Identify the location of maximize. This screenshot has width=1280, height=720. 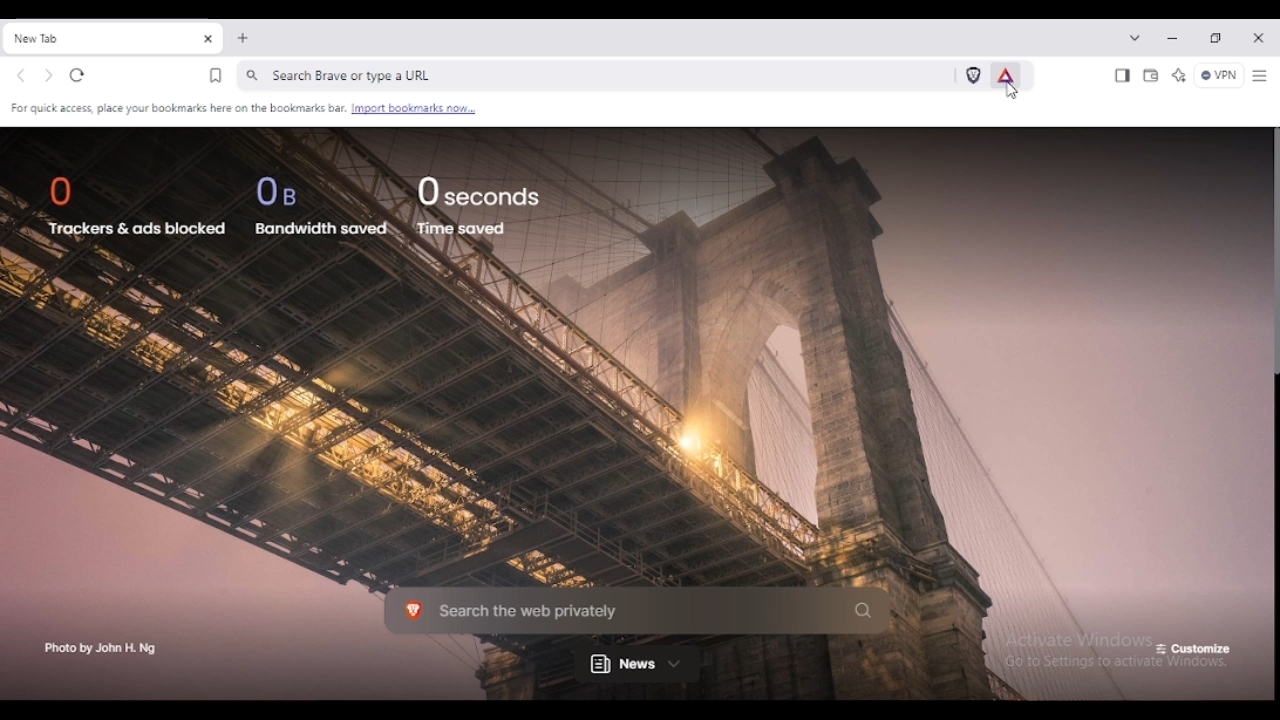
(1216, 38).